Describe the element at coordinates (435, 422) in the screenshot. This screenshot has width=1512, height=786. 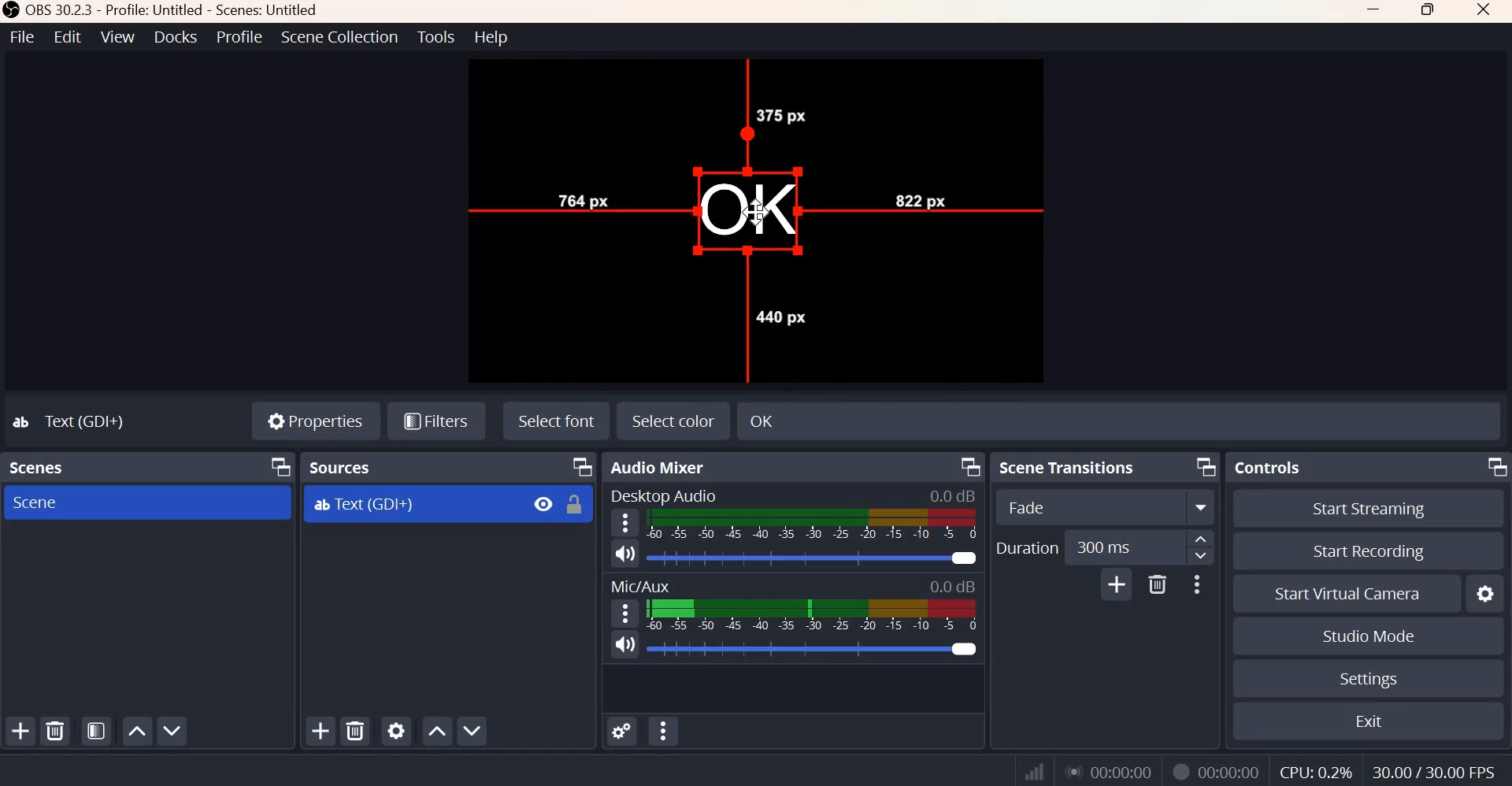
I see `Open source filters` at that location.